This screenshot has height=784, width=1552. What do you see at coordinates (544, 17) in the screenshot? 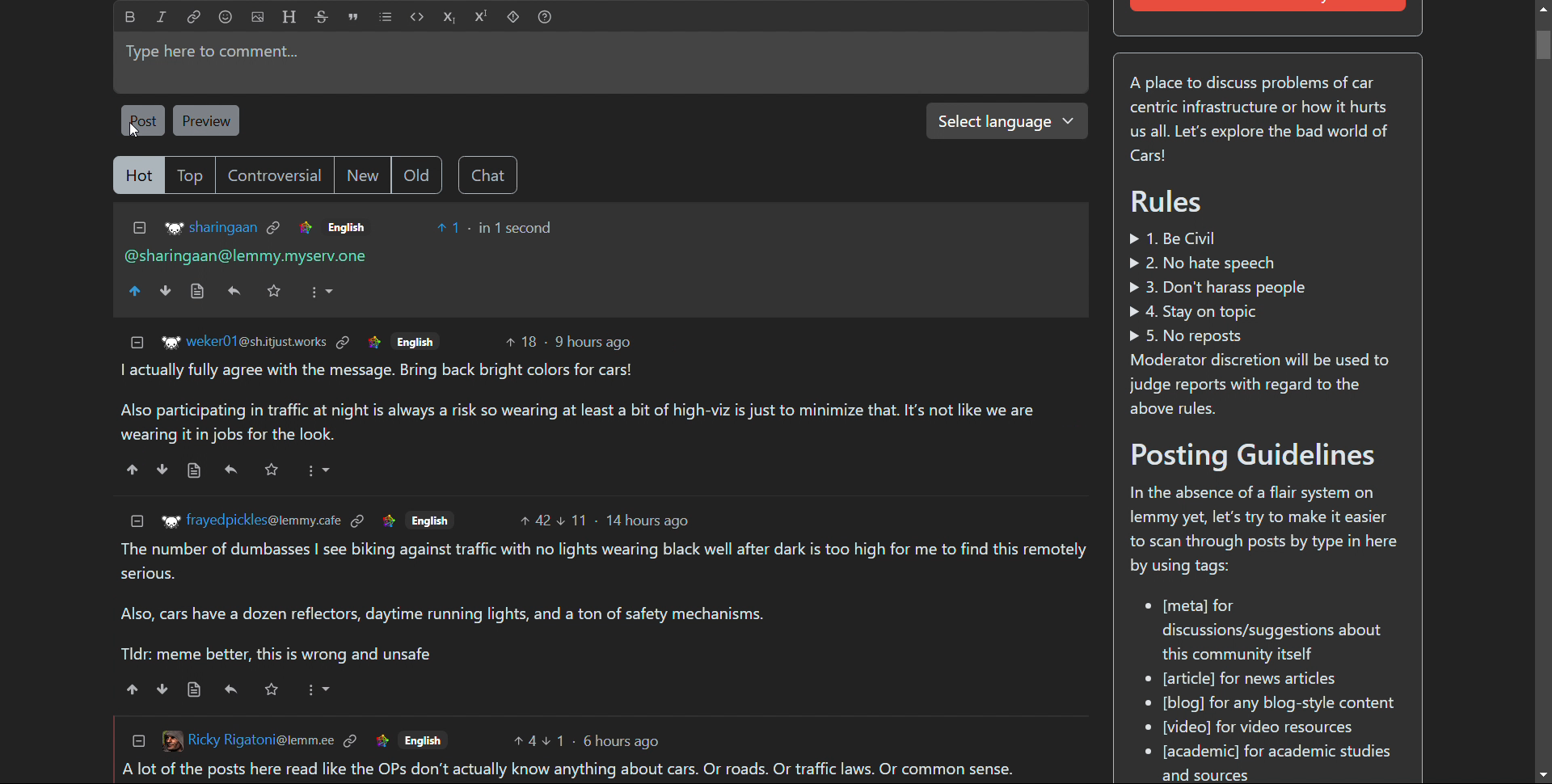
I see `help` at bounding box center [544, 17].